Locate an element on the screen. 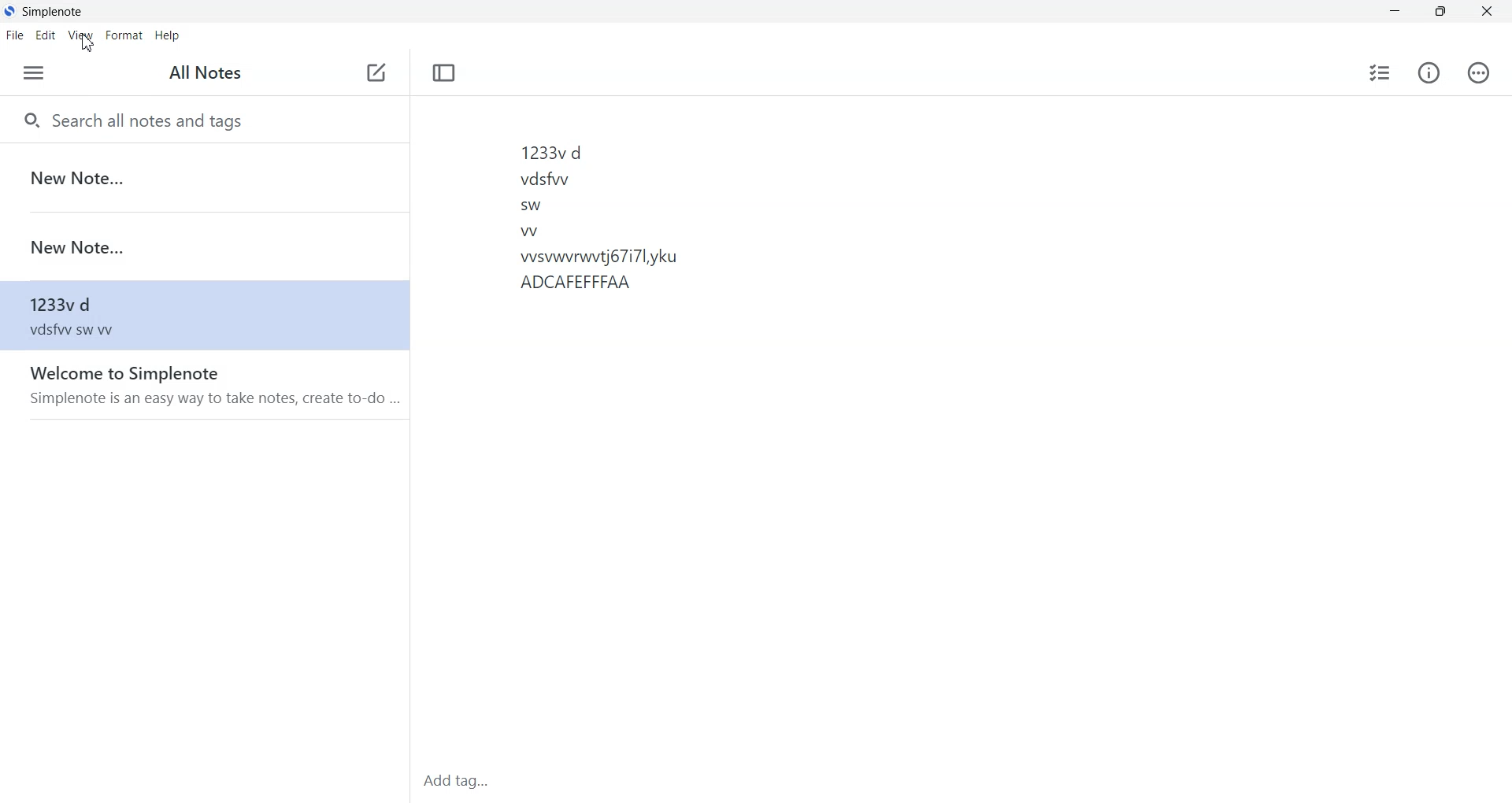 This screenshot has width=1512, height=803. Toggle focus mode is located at coordinates (443, 72).